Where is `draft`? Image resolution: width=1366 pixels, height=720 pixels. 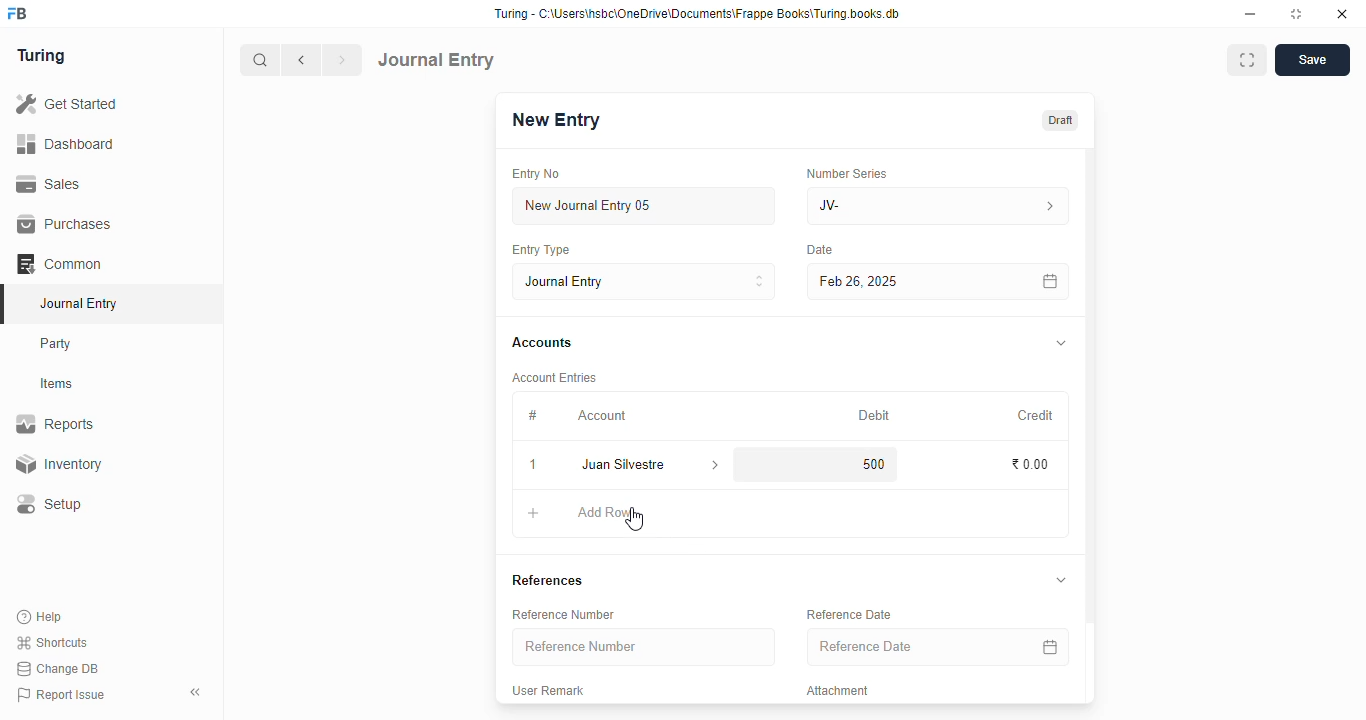 draft is located at coordinates (1059, 120).